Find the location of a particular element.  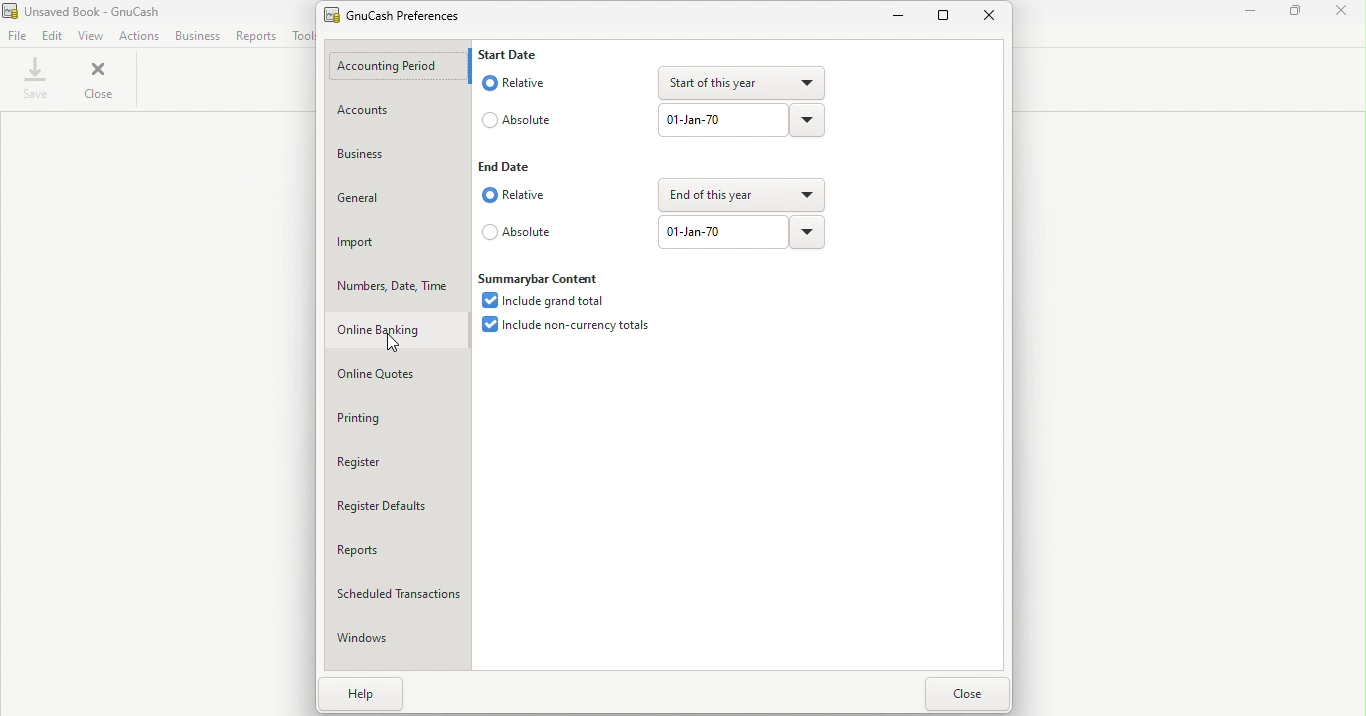

Type  is located at coordinates (720, 233).